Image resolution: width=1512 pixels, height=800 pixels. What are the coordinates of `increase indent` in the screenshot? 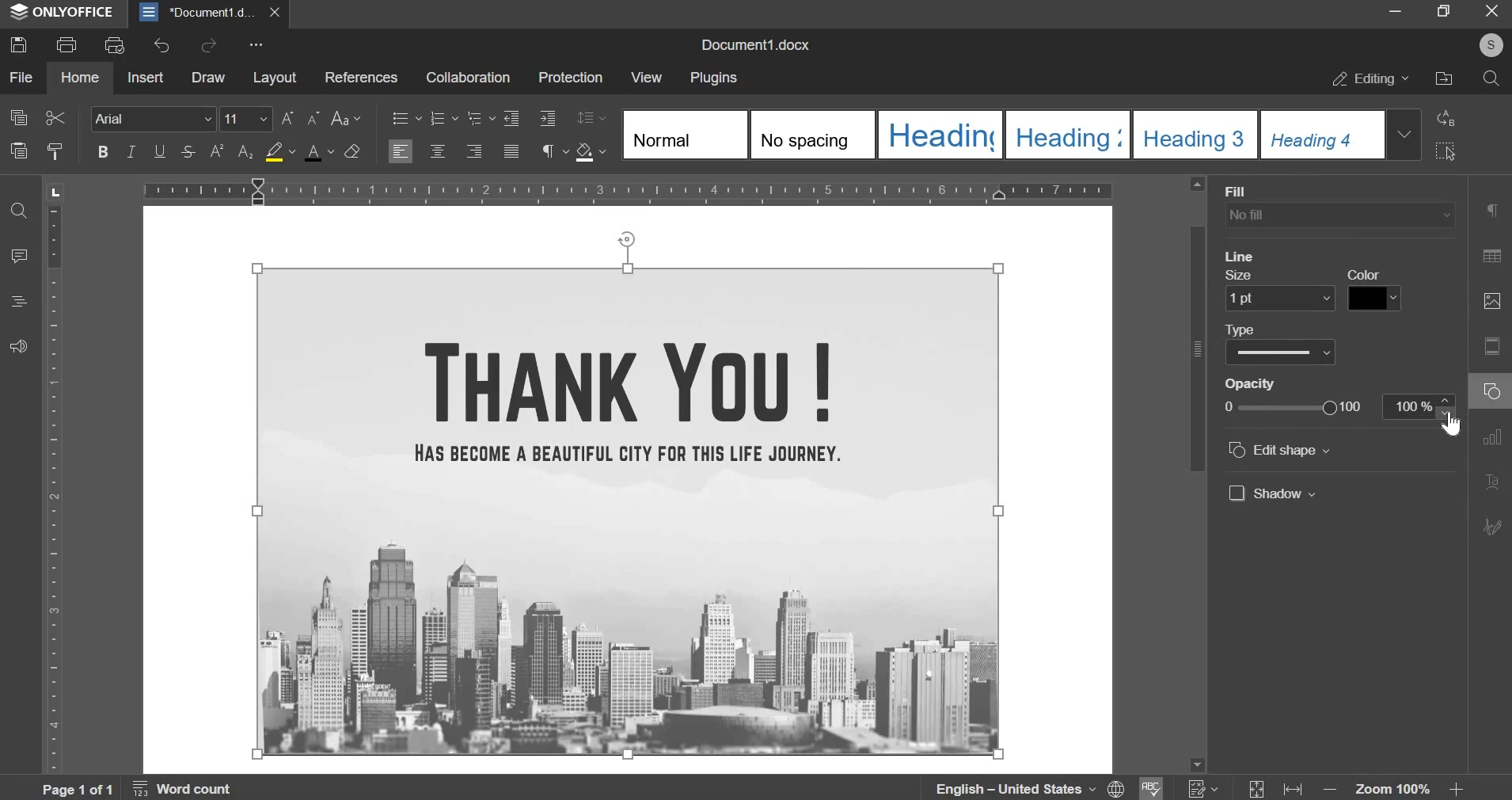 It's located at (546, 118).